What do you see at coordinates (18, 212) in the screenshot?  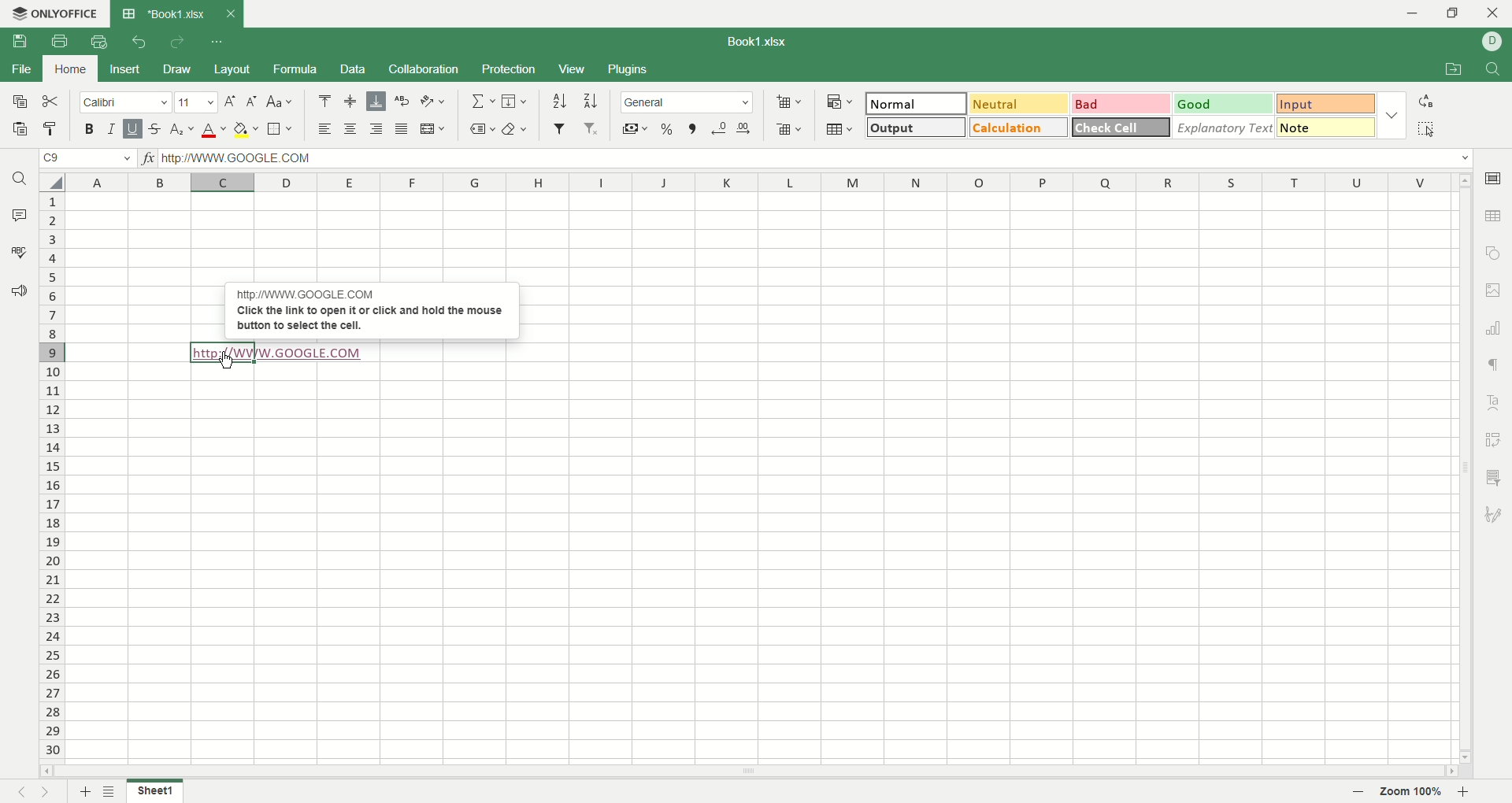 I see `comment` at bounding box center [18, 212].